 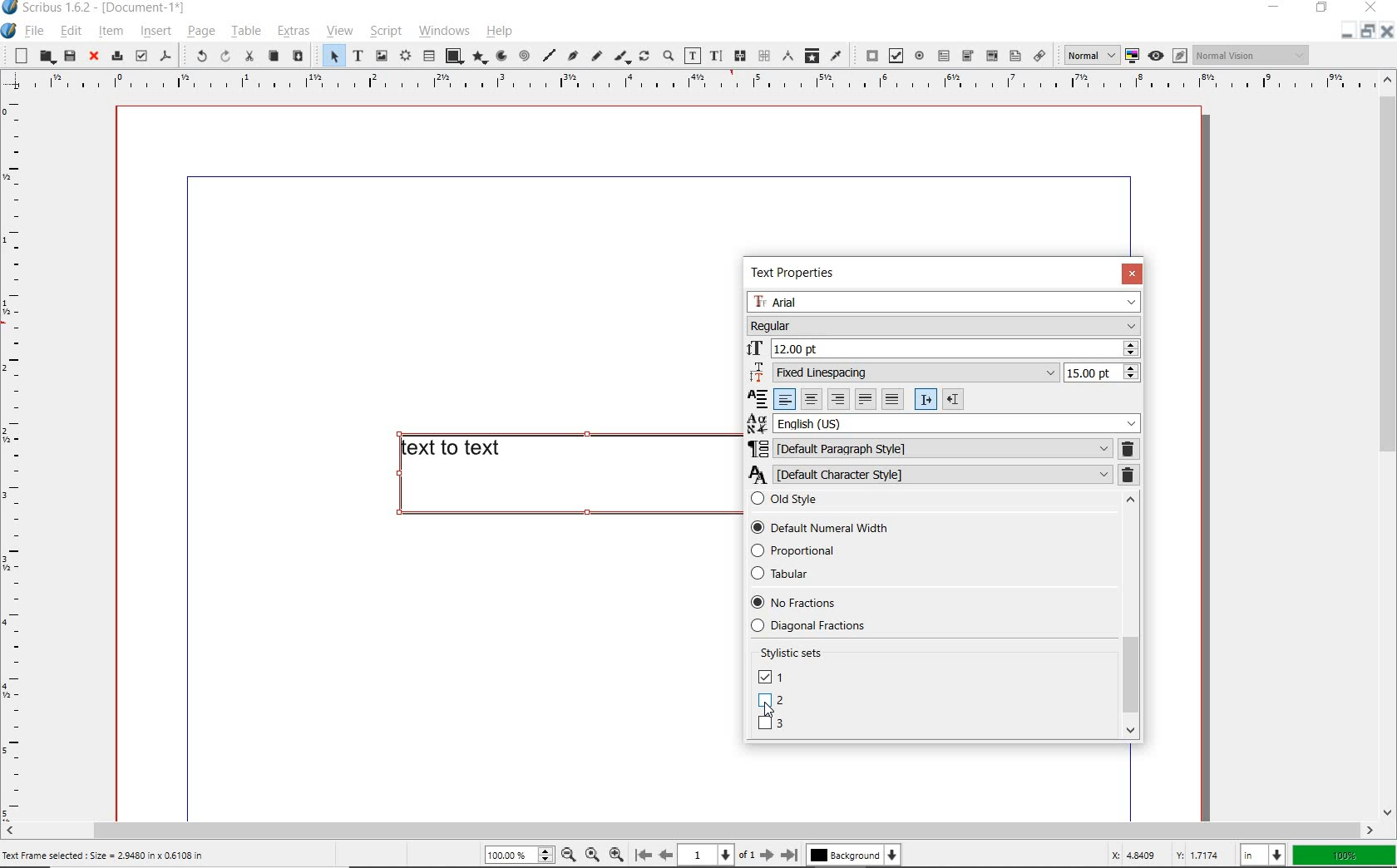 I want to click on Preview mode, so click(x=1155, y=55).